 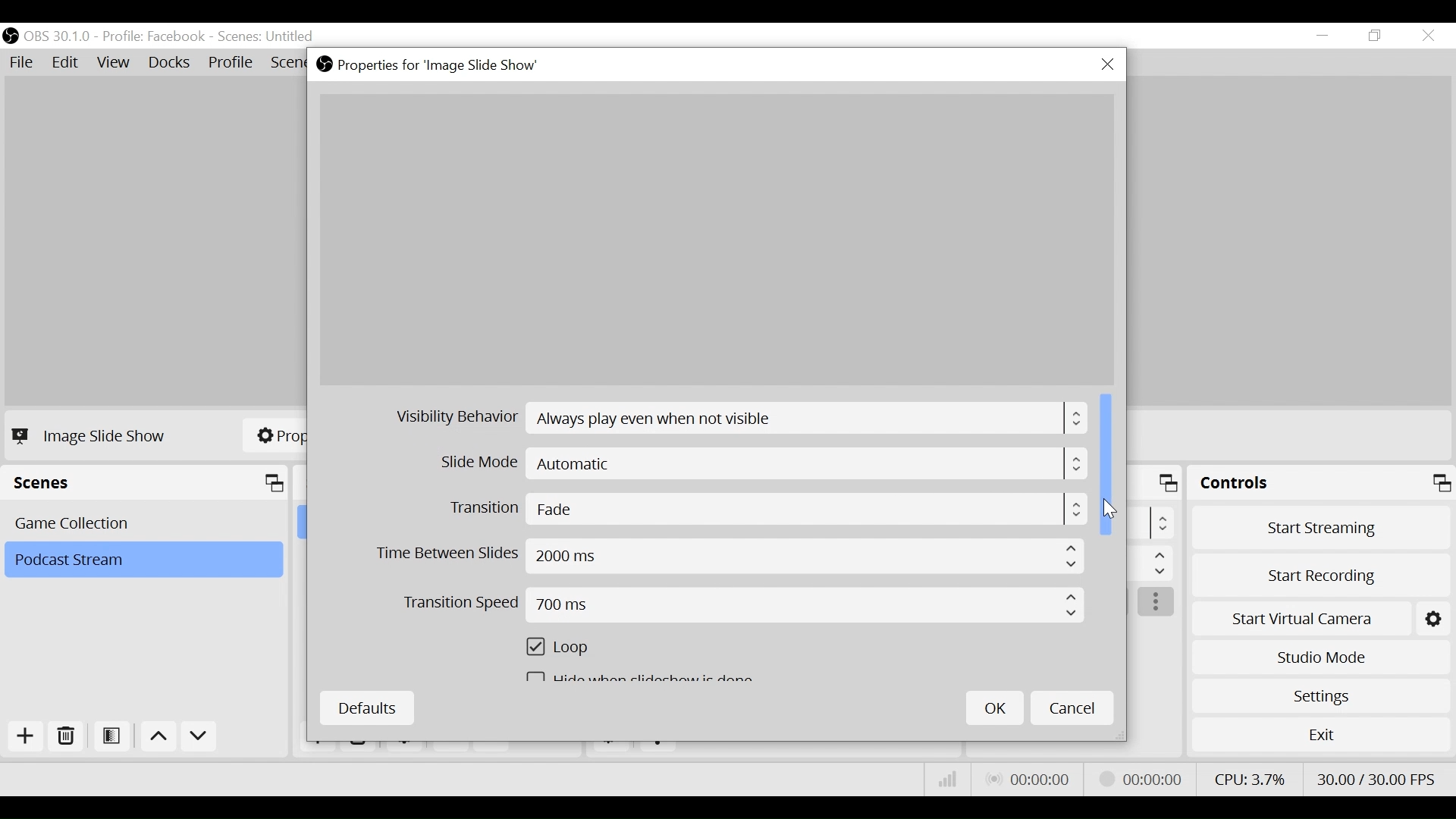 I want to click on File, so click(x=24, y=63).